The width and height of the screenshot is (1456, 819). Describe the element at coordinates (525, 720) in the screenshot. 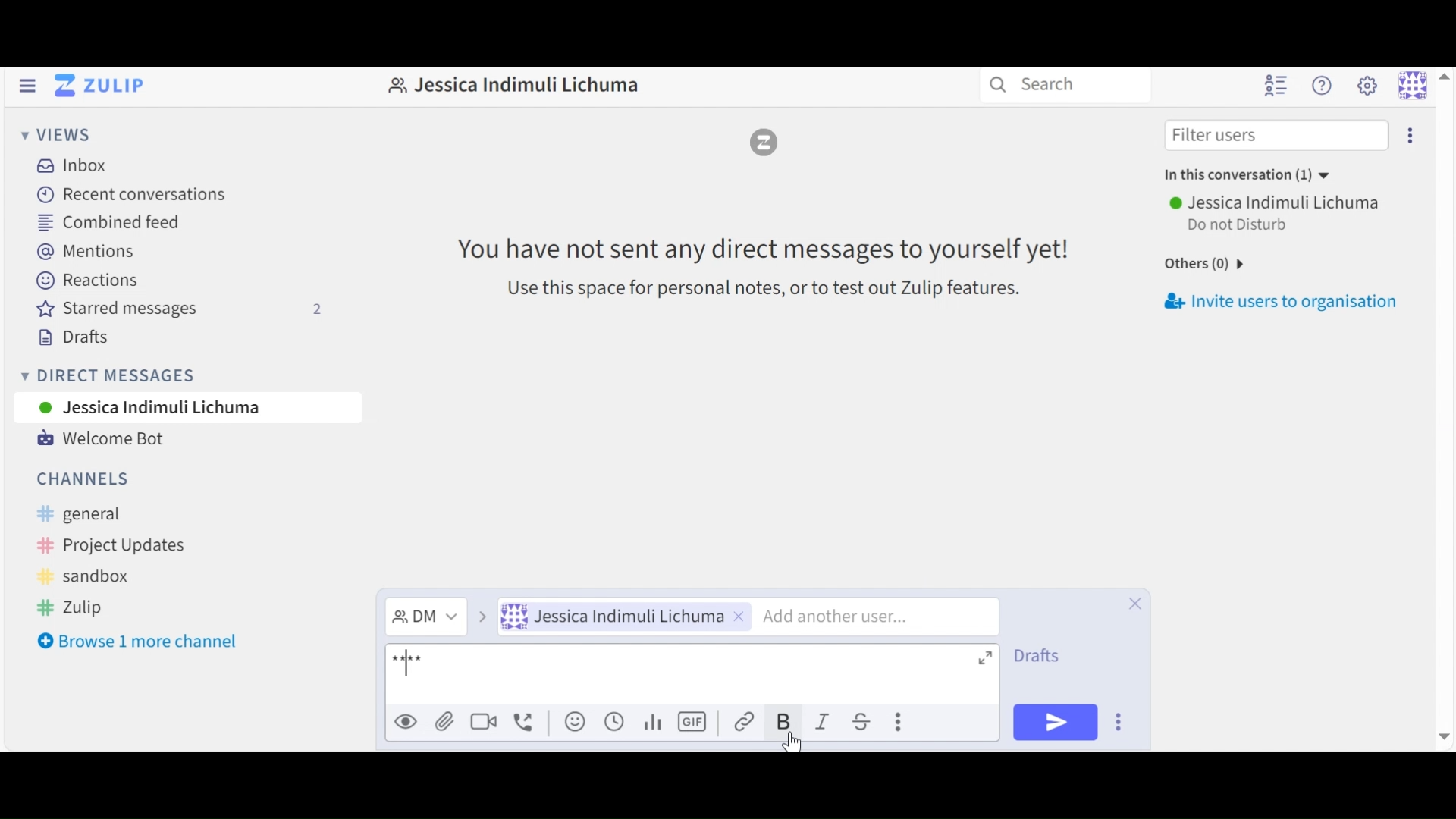

I see `Add a voice call` at that location.